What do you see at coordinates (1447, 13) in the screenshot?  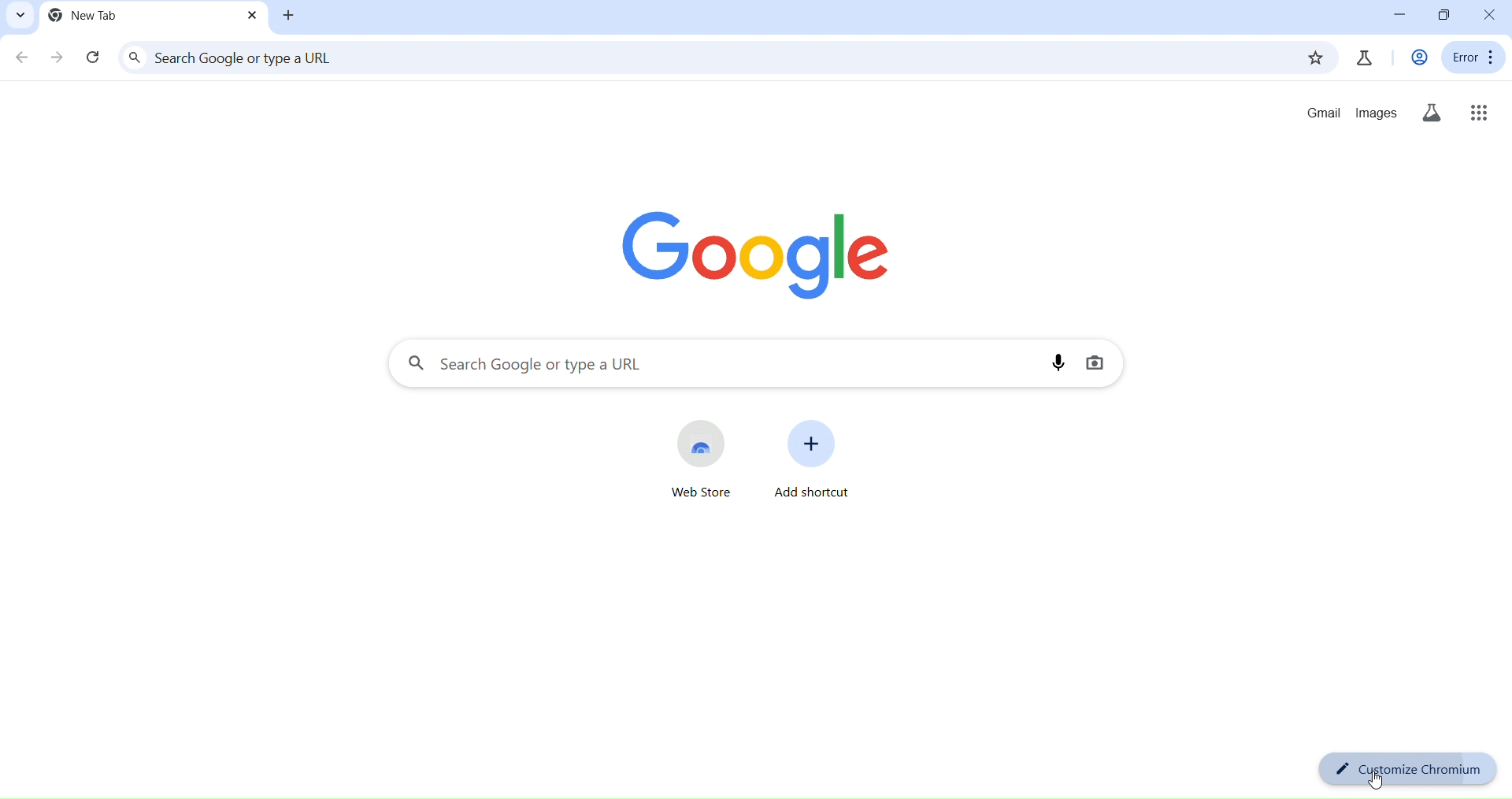 I see `restore down` at bounding box center [1447, 13].